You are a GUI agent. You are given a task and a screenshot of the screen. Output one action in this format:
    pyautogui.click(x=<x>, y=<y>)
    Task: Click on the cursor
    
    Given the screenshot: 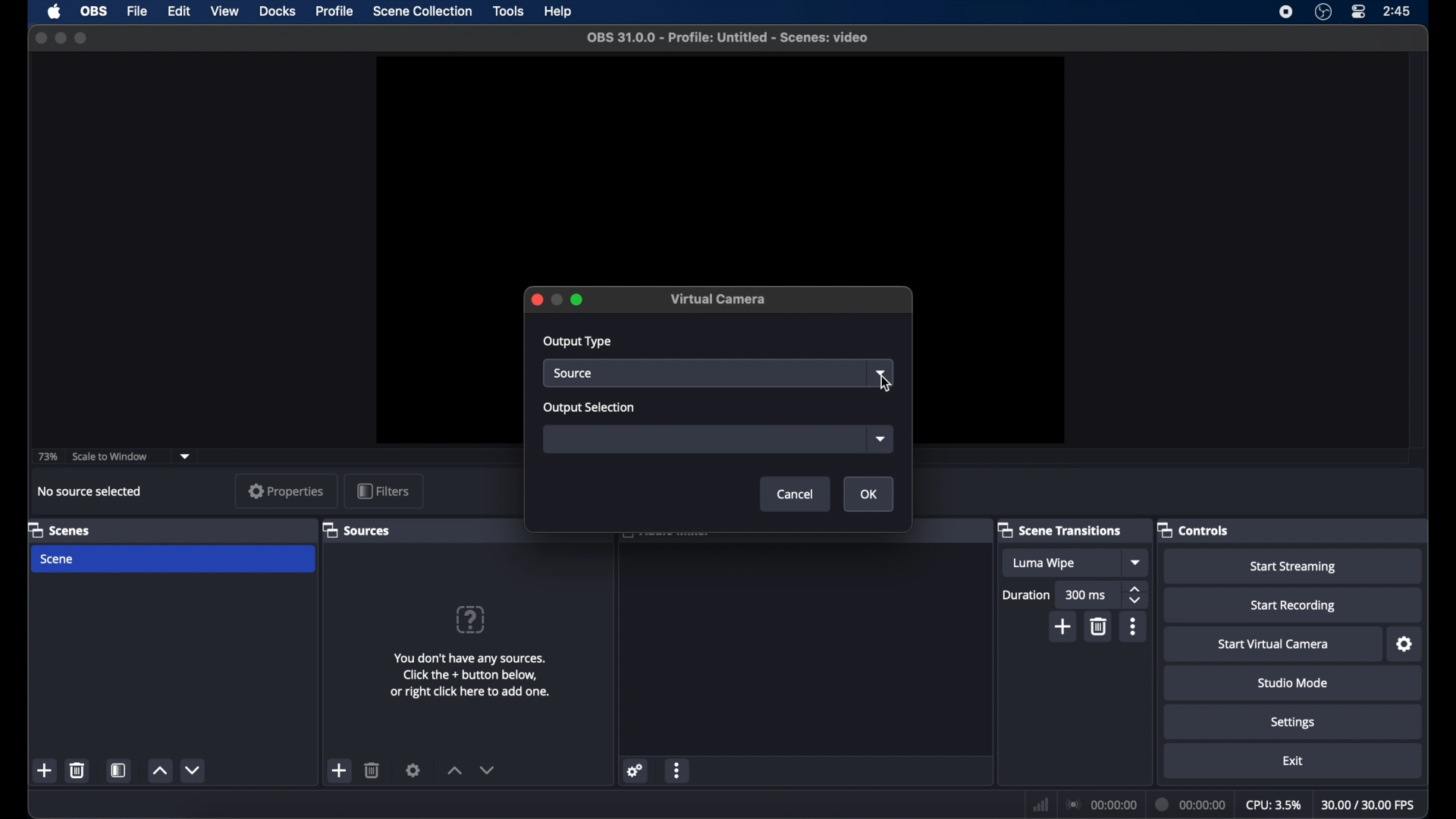 What is the action you would take?
    pyautogui.click(x=886, y=384)
    